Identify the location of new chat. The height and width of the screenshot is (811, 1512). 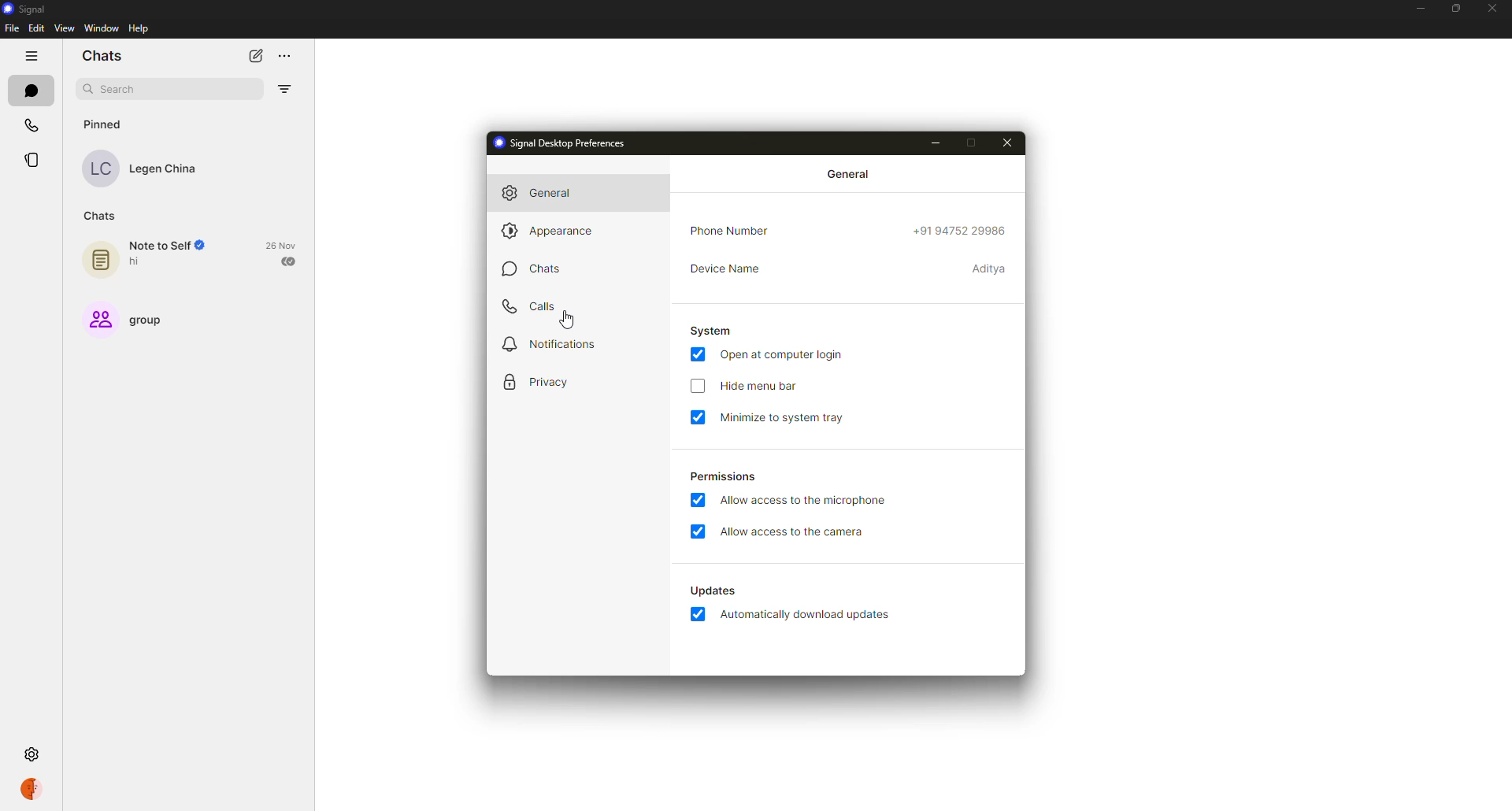
(257, 56).